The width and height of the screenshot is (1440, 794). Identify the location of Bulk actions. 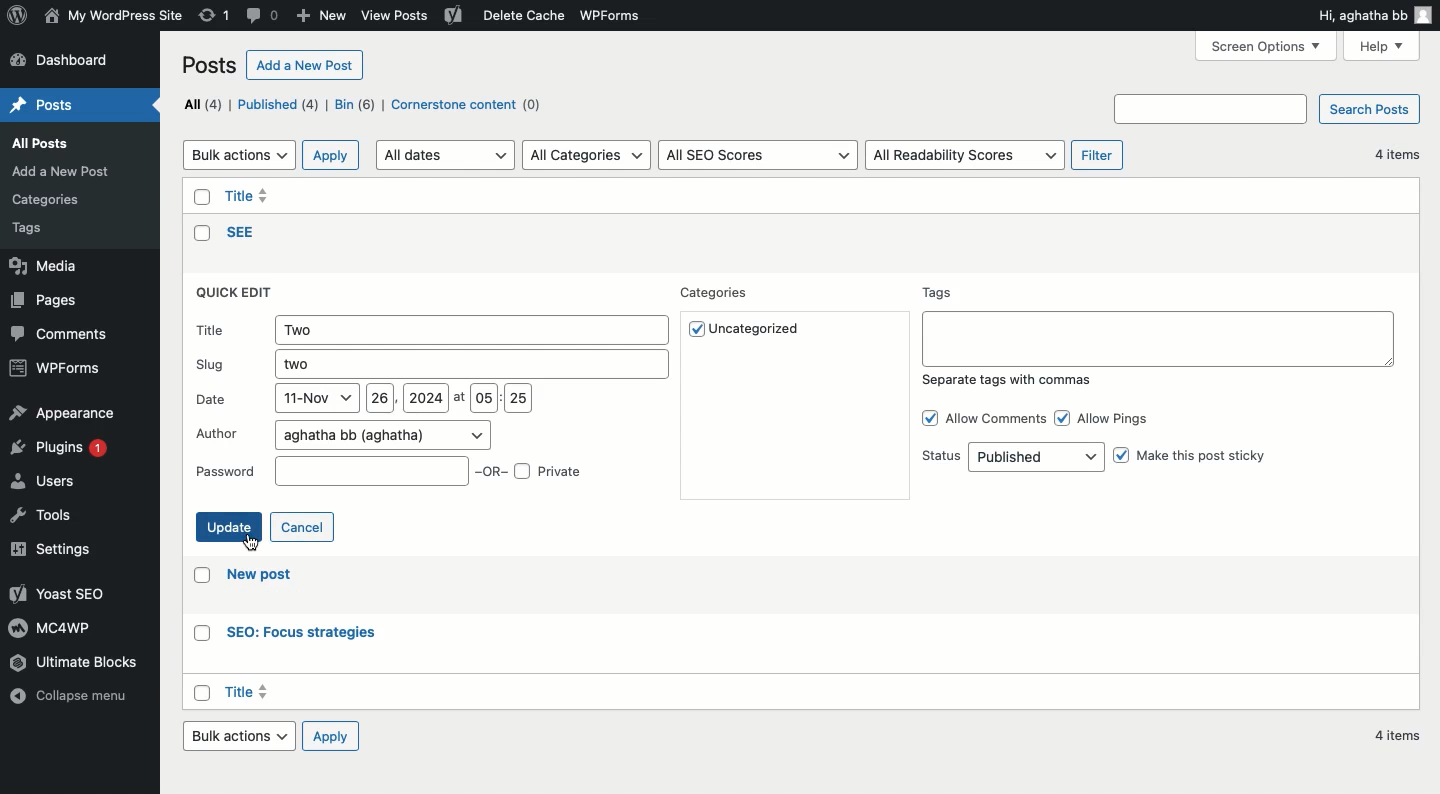
(239, 155).